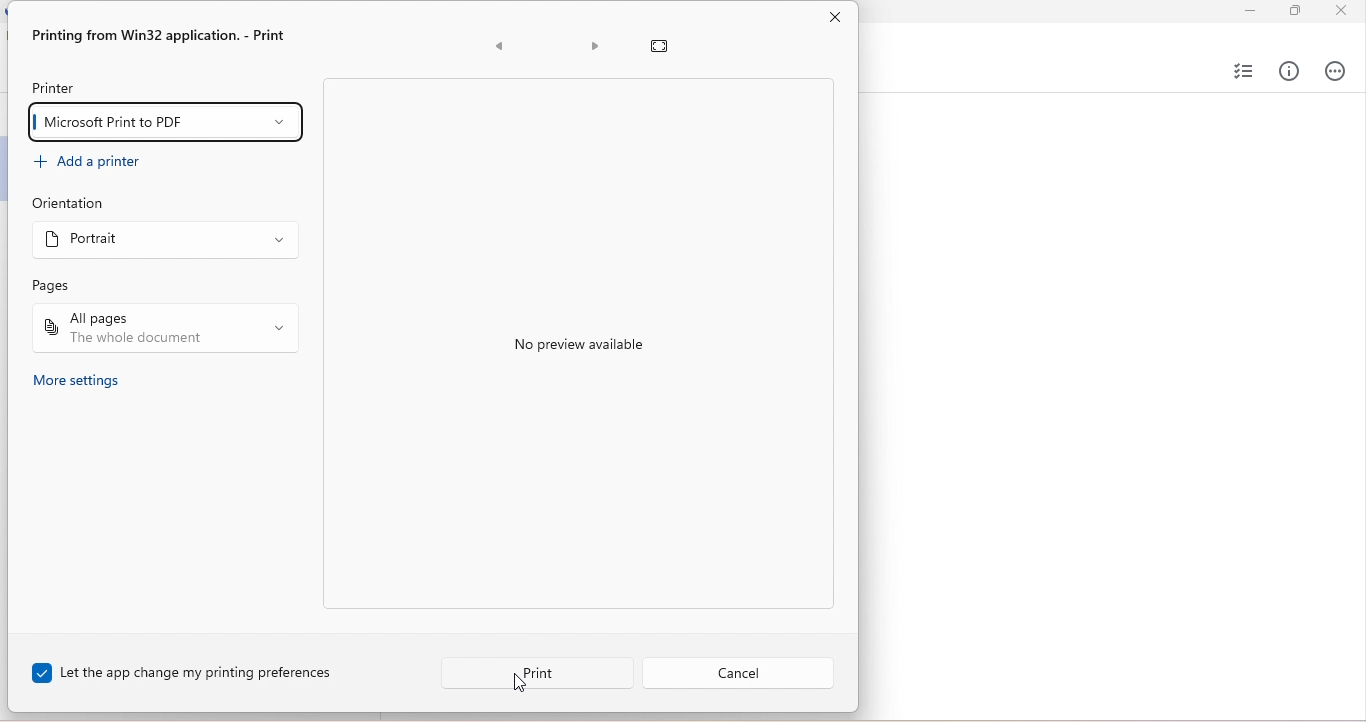 The height and width of the screenshot is (722, 1366). I want to click on orientation, so click(71, 202).